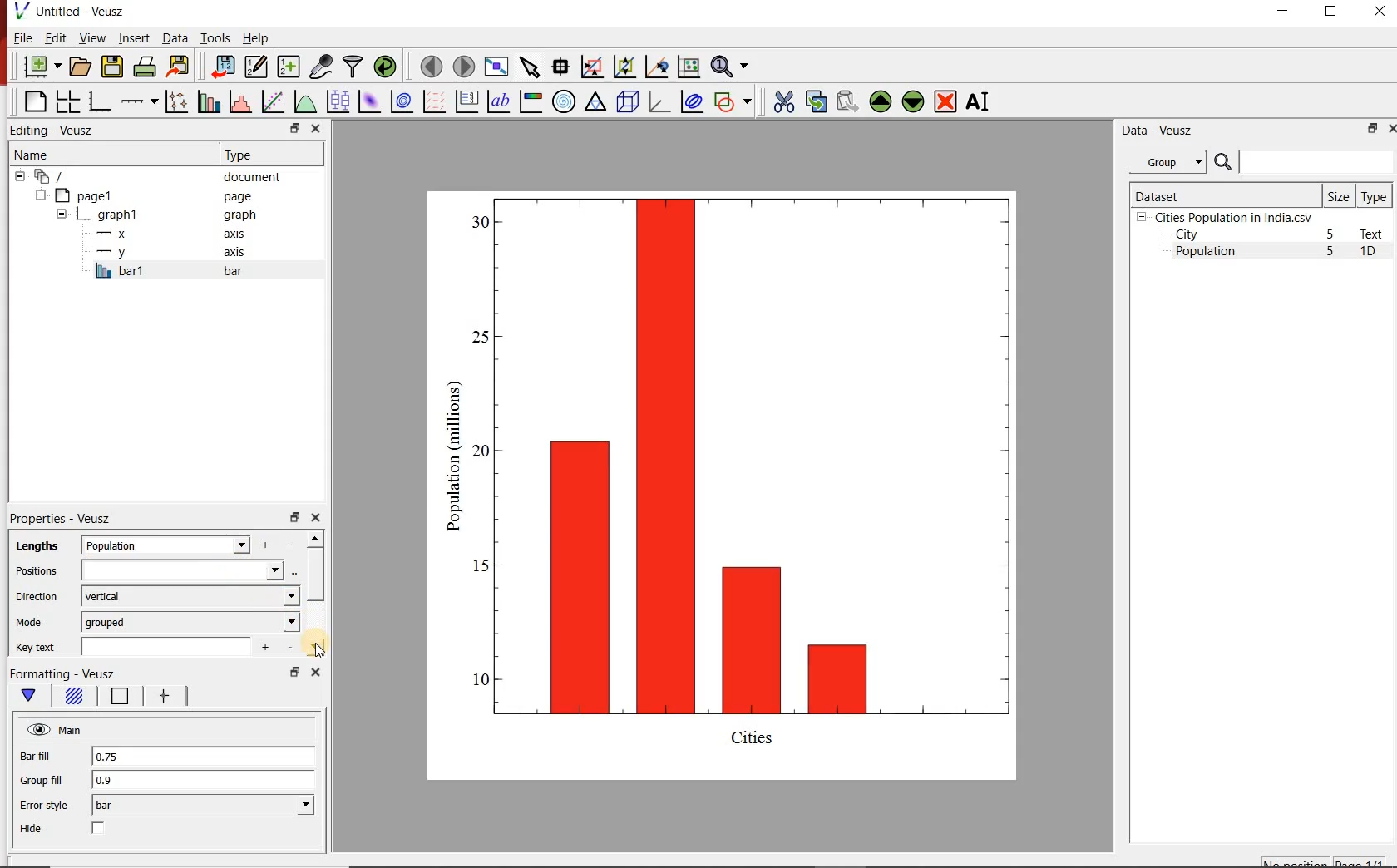 The width and height of the screenshot is (1397, 868). What do you see at coordinates (622, 68) in the screenshot?
I see `click to zoom out of graph axes` at bounding box center [622, 68].